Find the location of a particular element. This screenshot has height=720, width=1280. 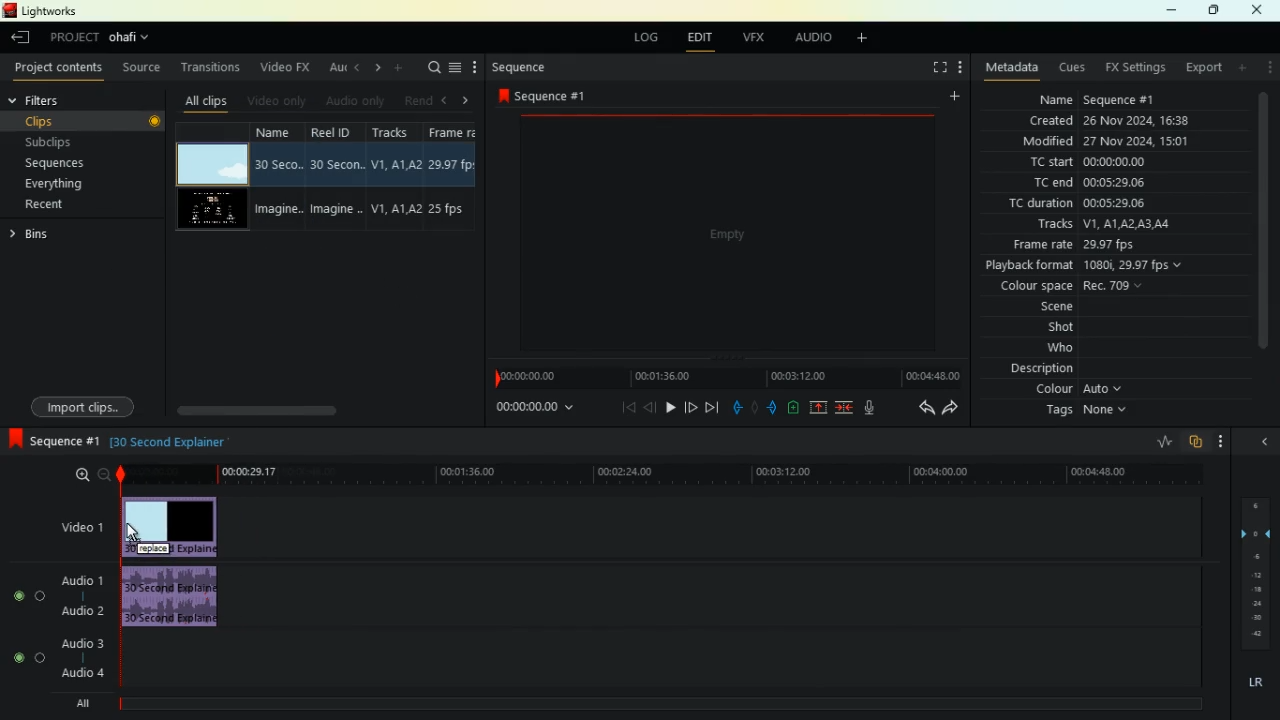

sequence is located at coordinates (519, 69).